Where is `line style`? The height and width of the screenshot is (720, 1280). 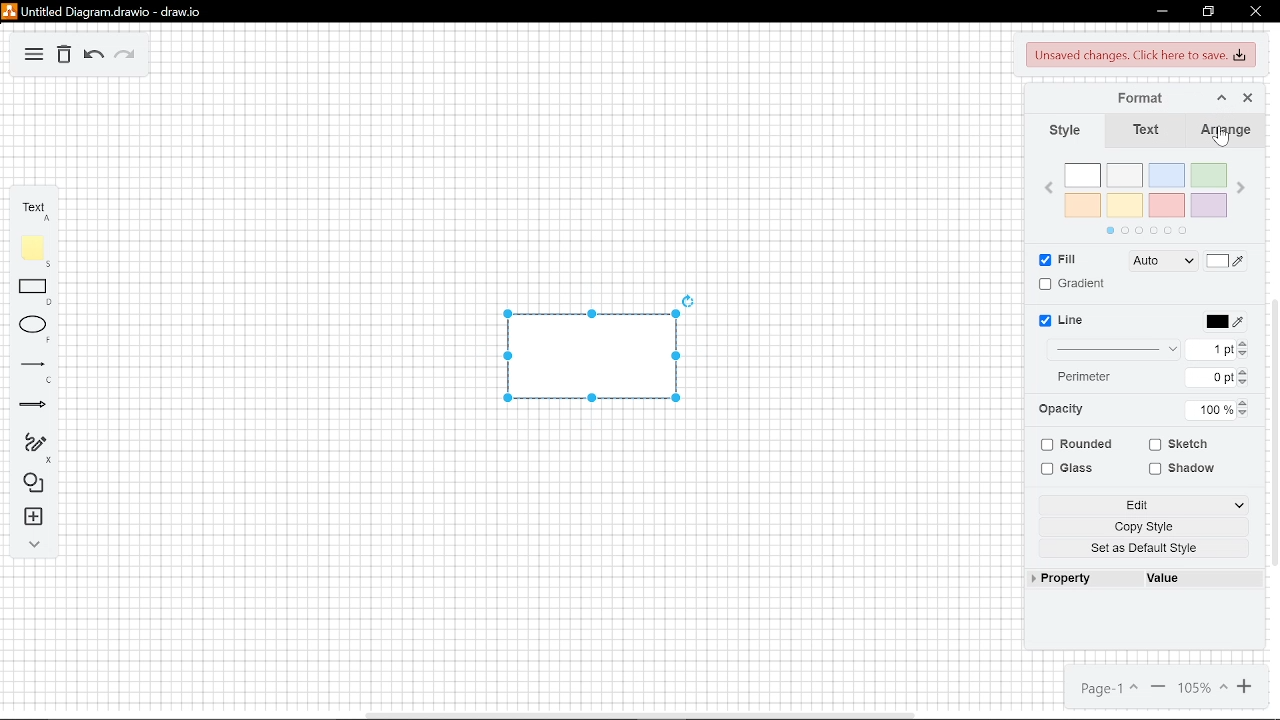
line style is located at coordinates (1117, 349).